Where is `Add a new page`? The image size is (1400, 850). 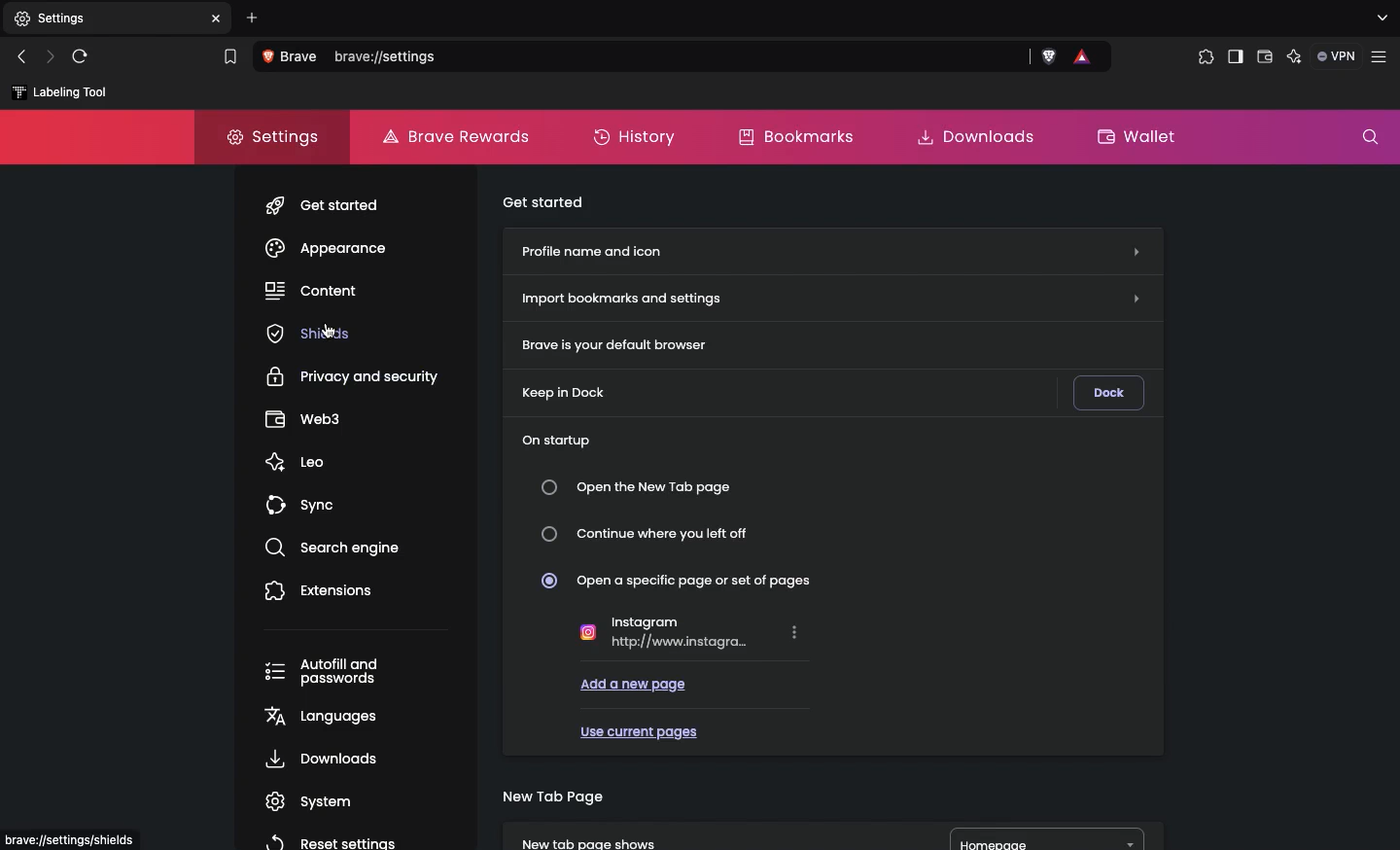
Add a new page is located at coordinates (633, 685).